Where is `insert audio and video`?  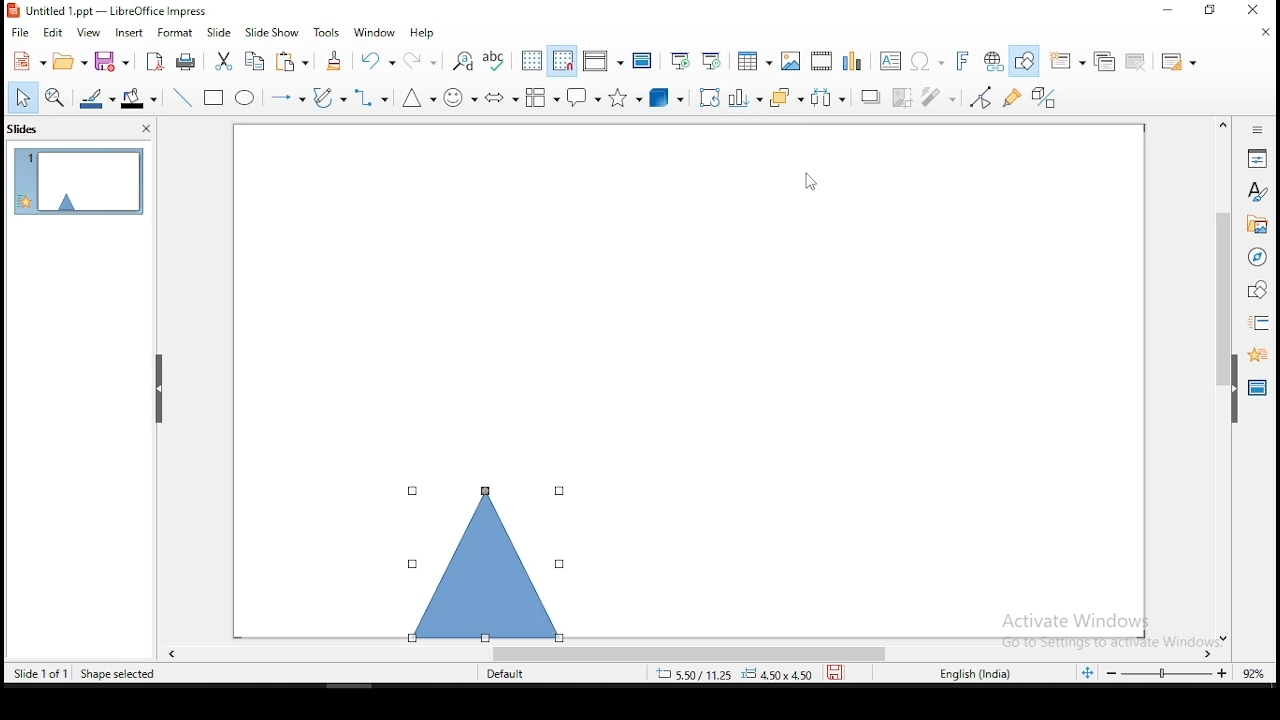 insert audio and video is located at coordinates (821, 59).